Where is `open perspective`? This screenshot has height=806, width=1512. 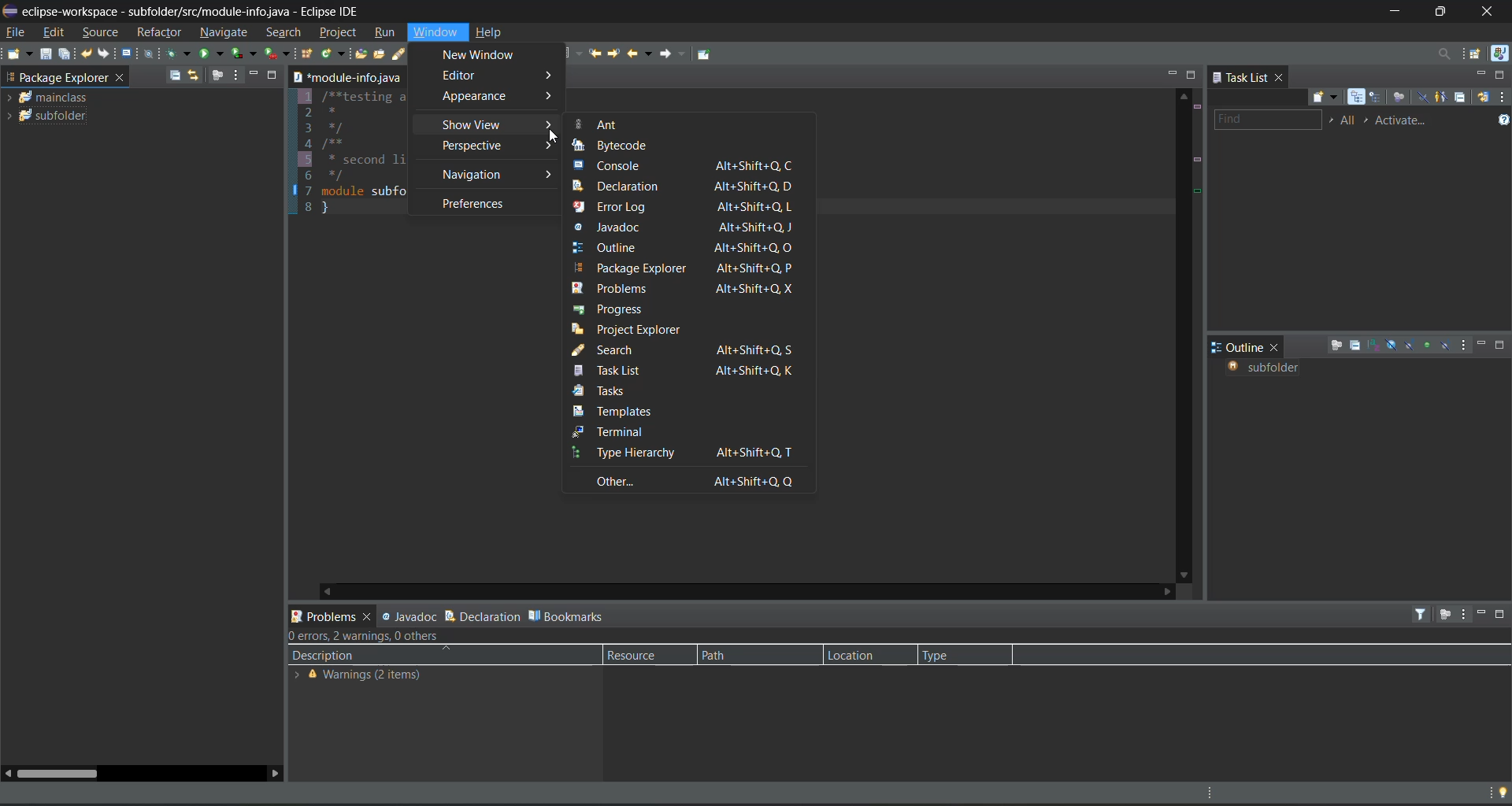
open perspective is located at coordinates (1477, 55).